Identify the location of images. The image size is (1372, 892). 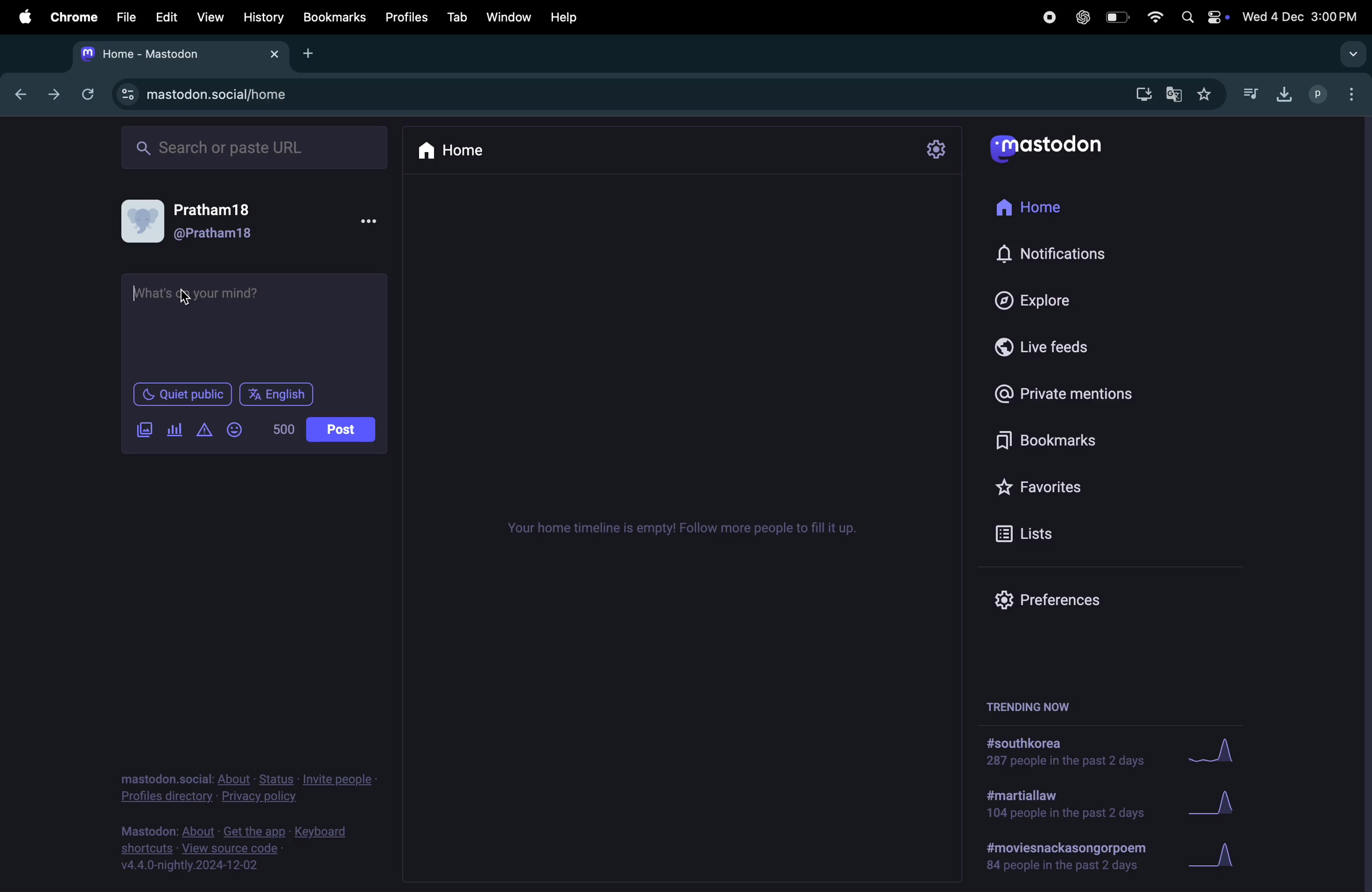
(144, 430).